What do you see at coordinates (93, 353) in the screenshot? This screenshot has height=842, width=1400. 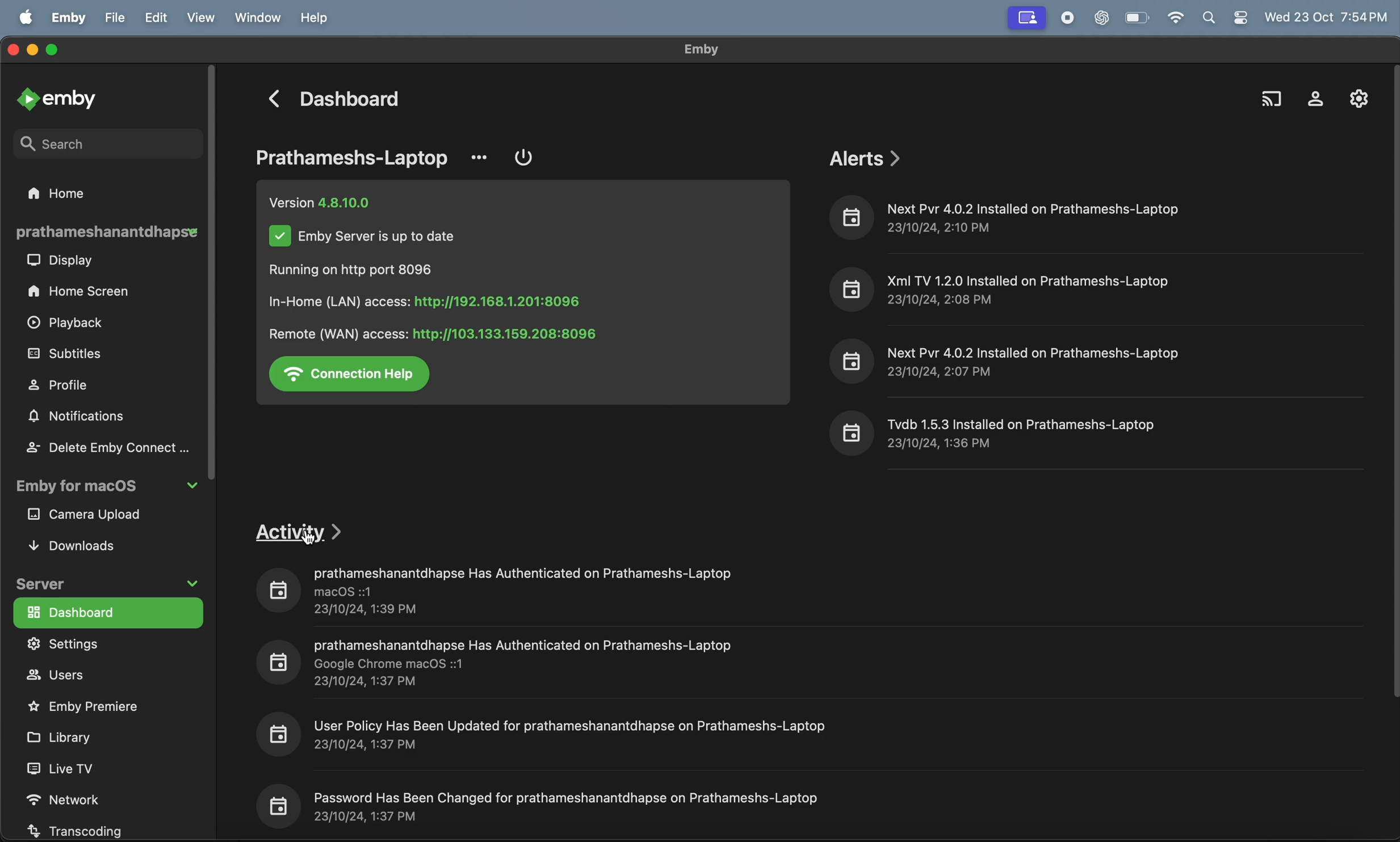 I see `subtitles` at bounding box center [93, 353].